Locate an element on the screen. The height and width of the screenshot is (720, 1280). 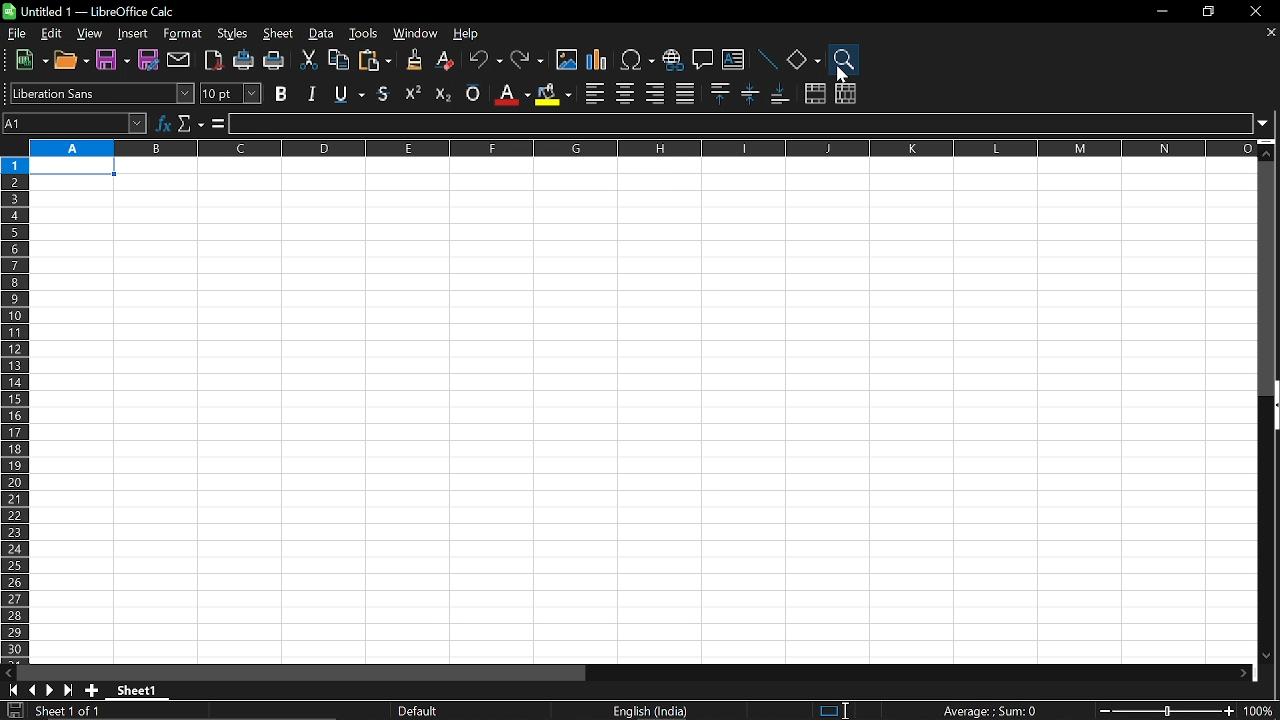
underline is located at coordinates (385, 93).